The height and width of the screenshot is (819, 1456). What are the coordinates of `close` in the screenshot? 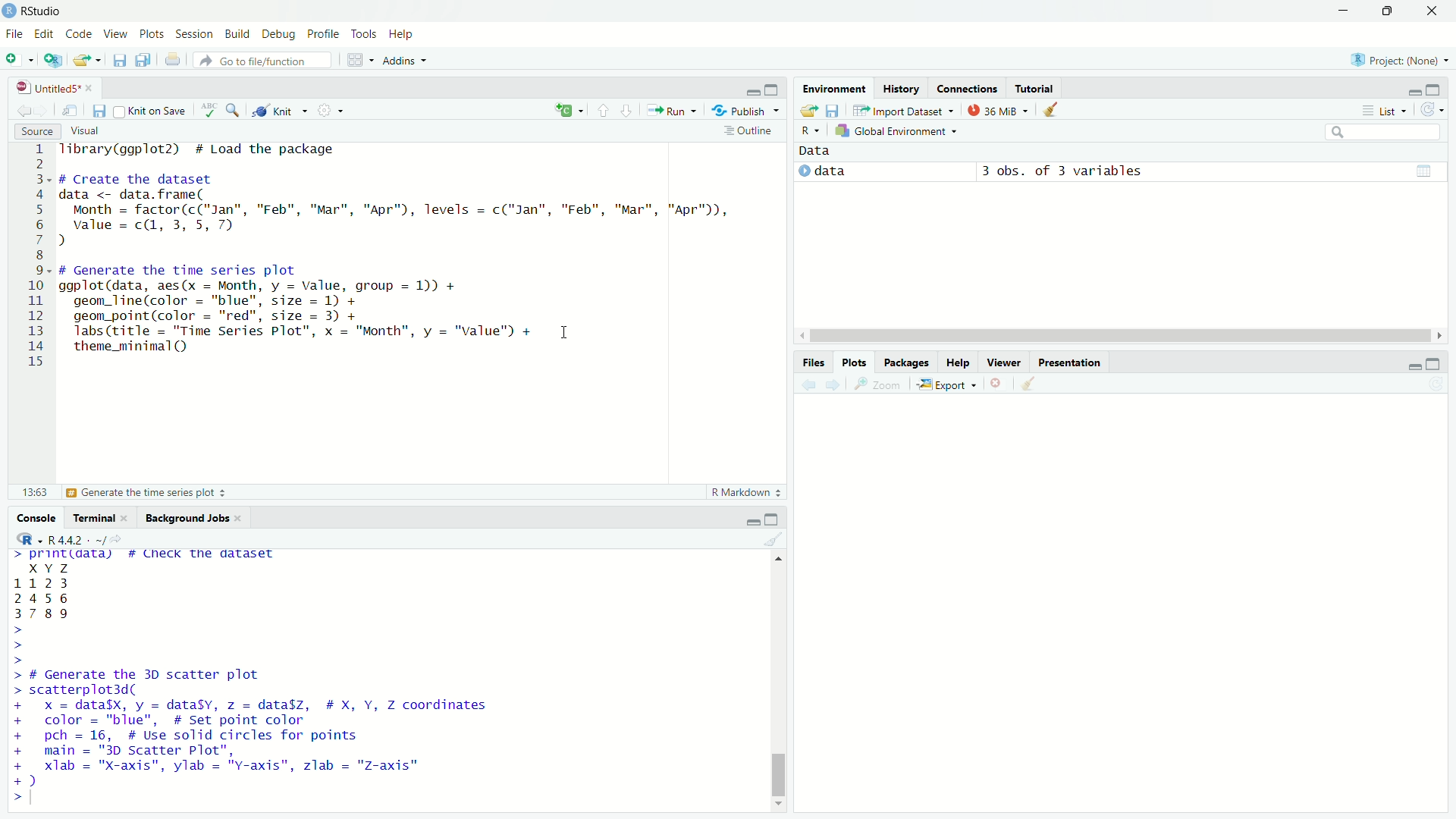 It's located at (125, 518).